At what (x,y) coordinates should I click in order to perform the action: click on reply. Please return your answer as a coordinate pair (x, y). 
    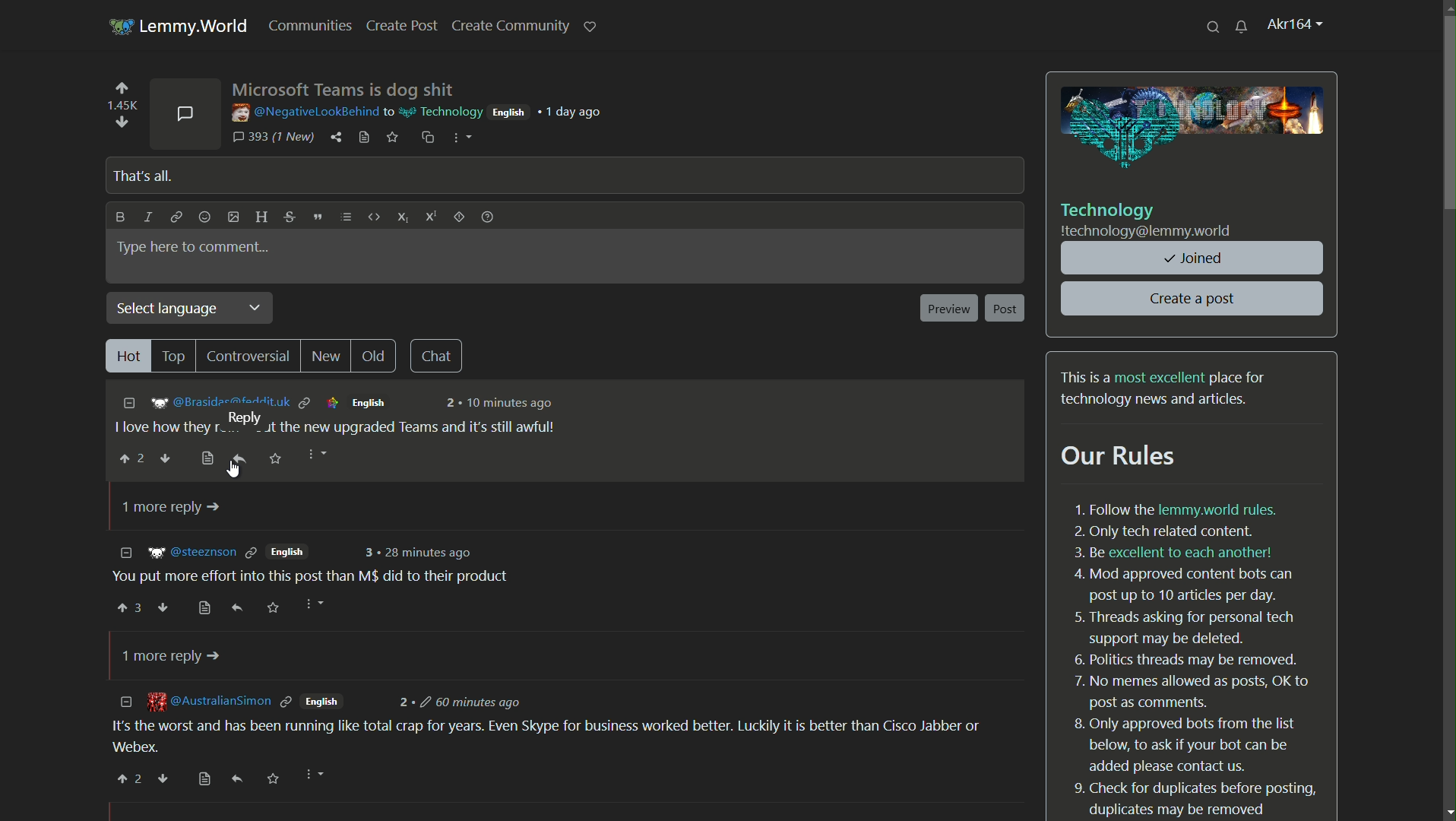
    Looking at the image, I should click on (236, 609).